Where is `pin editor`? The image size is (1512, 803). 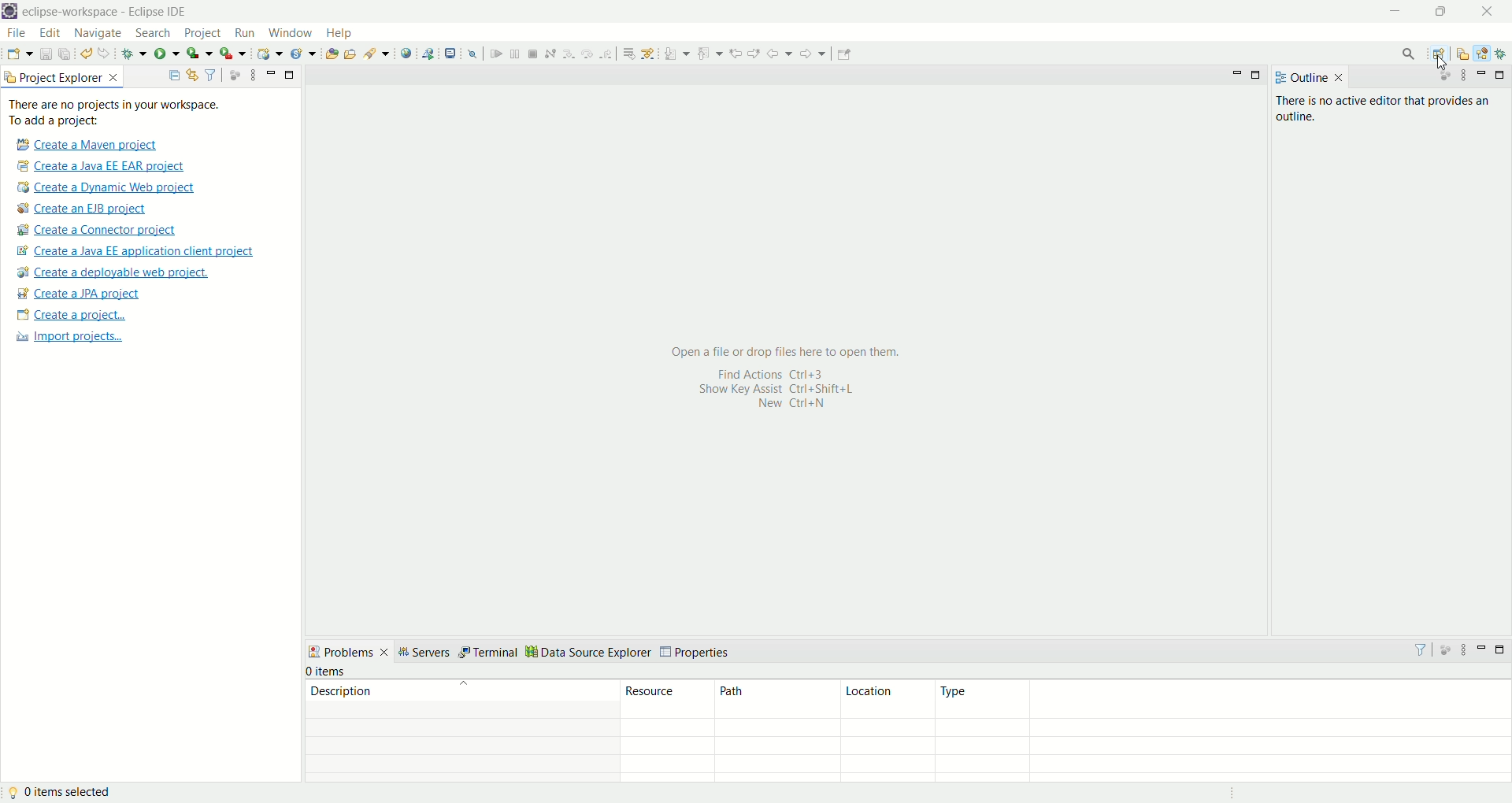 pin editor is located at coordinates (847, 54).